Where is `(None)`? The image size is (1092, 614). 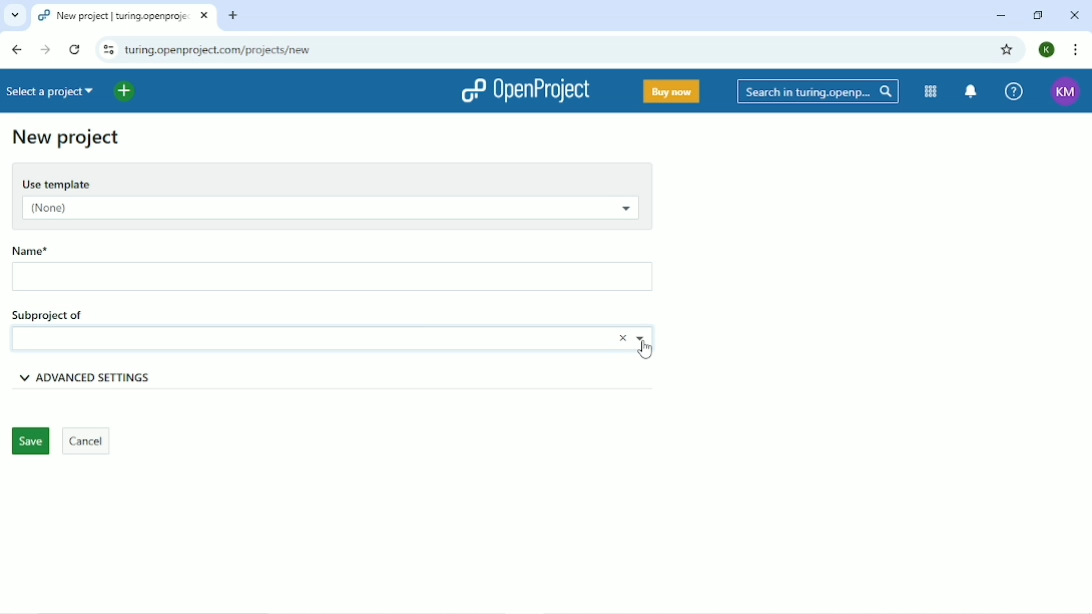 (None) is located at coordinates (327, 210).